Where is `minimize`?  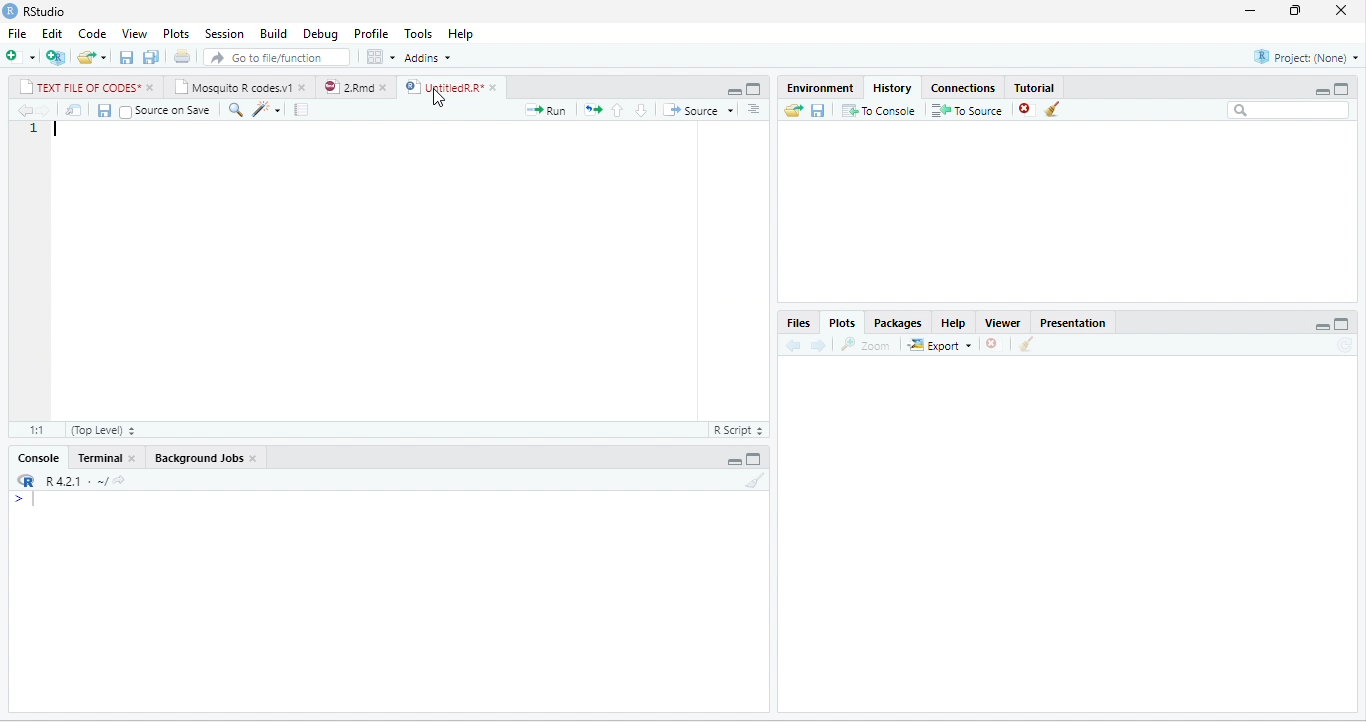
minimize is located at coordinates (734, 92).